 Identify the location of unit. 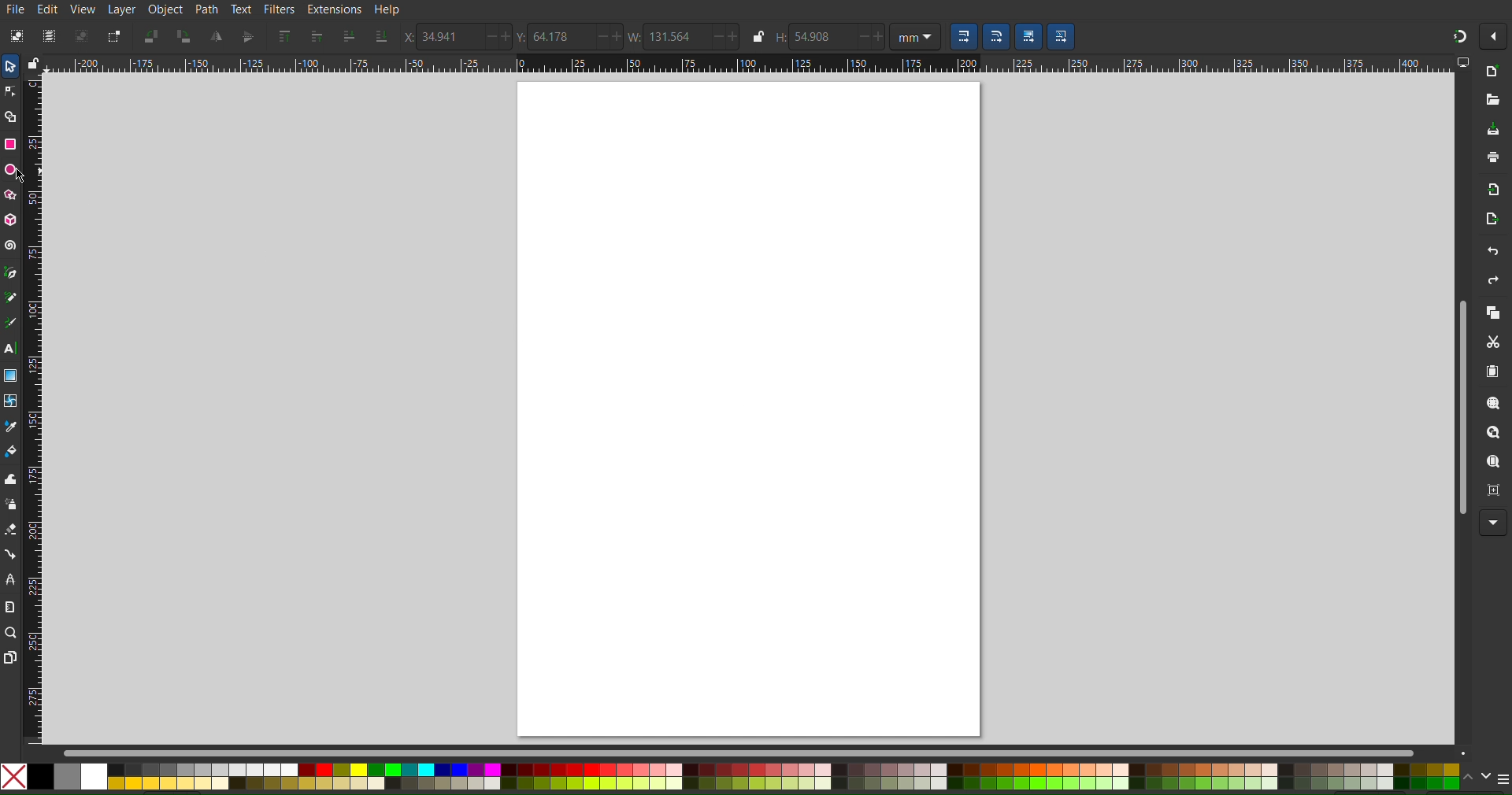
(914, 36).